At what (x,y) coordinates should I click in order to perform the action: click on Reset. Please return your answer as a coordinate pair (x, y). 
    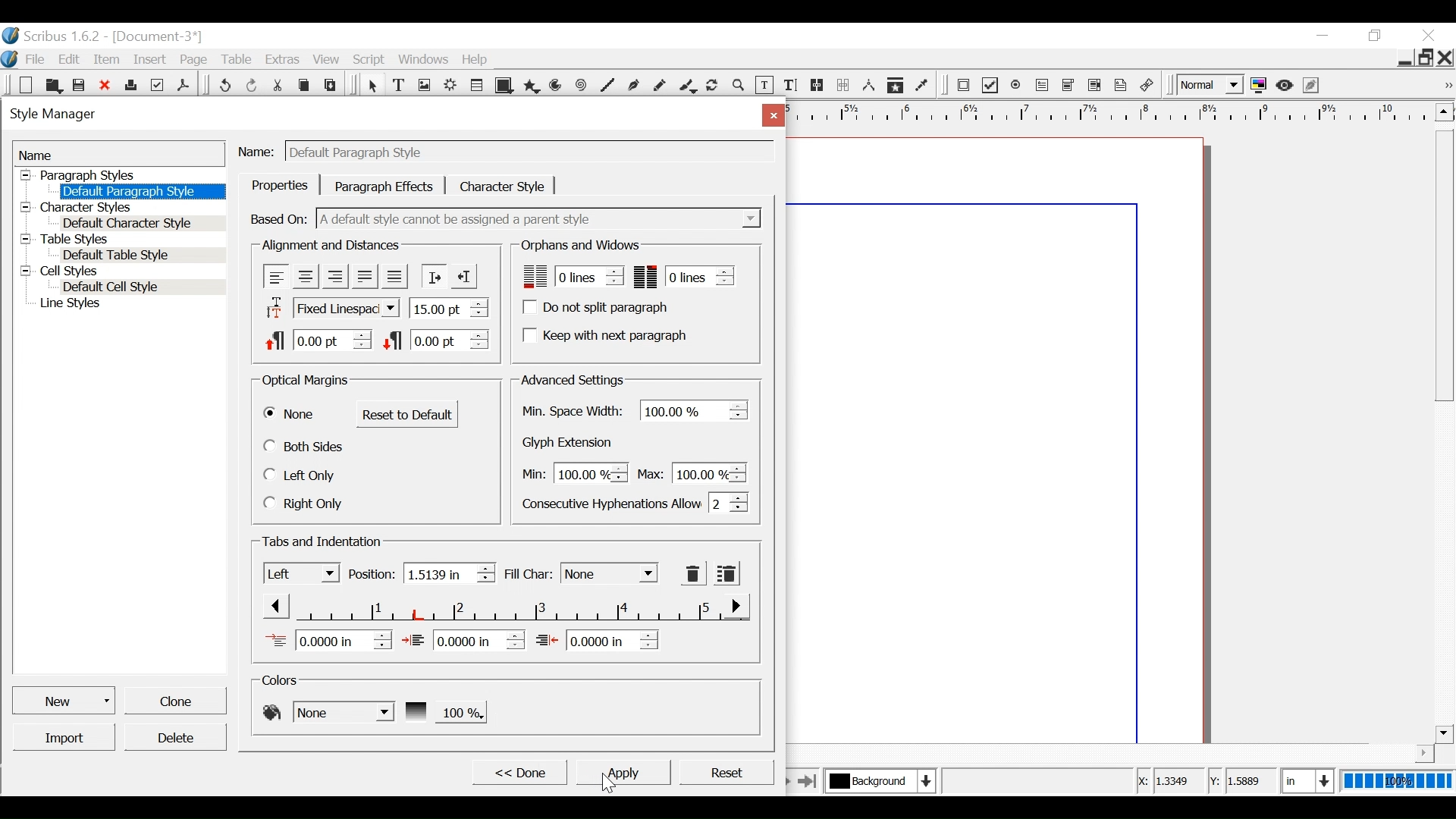
    Looking at the image, I should click on (726, 771).